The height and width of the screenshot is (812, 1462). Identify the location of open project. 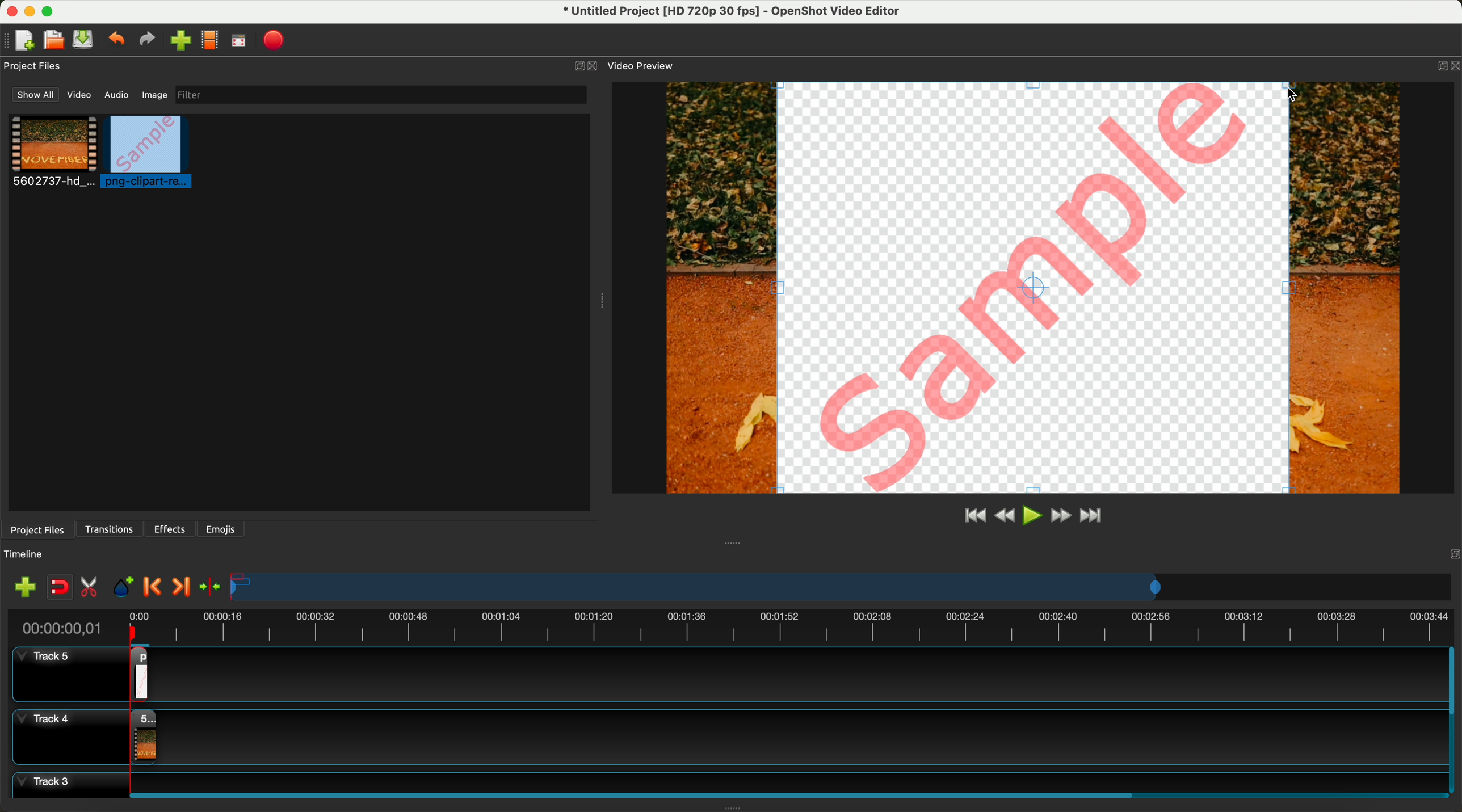
(53, 41).